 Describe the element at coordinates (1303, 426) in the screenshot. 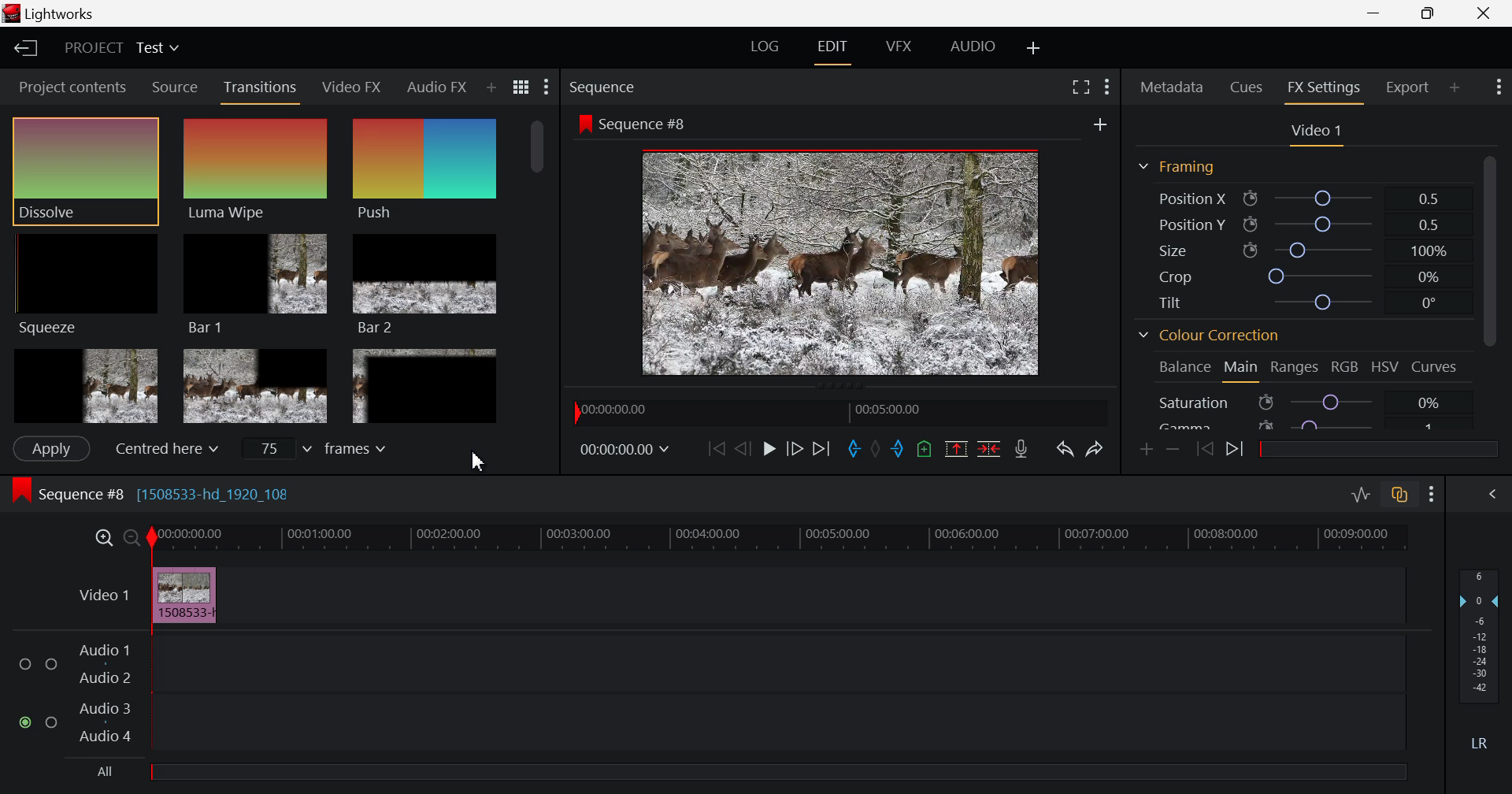

I see `Gamma` at that location.